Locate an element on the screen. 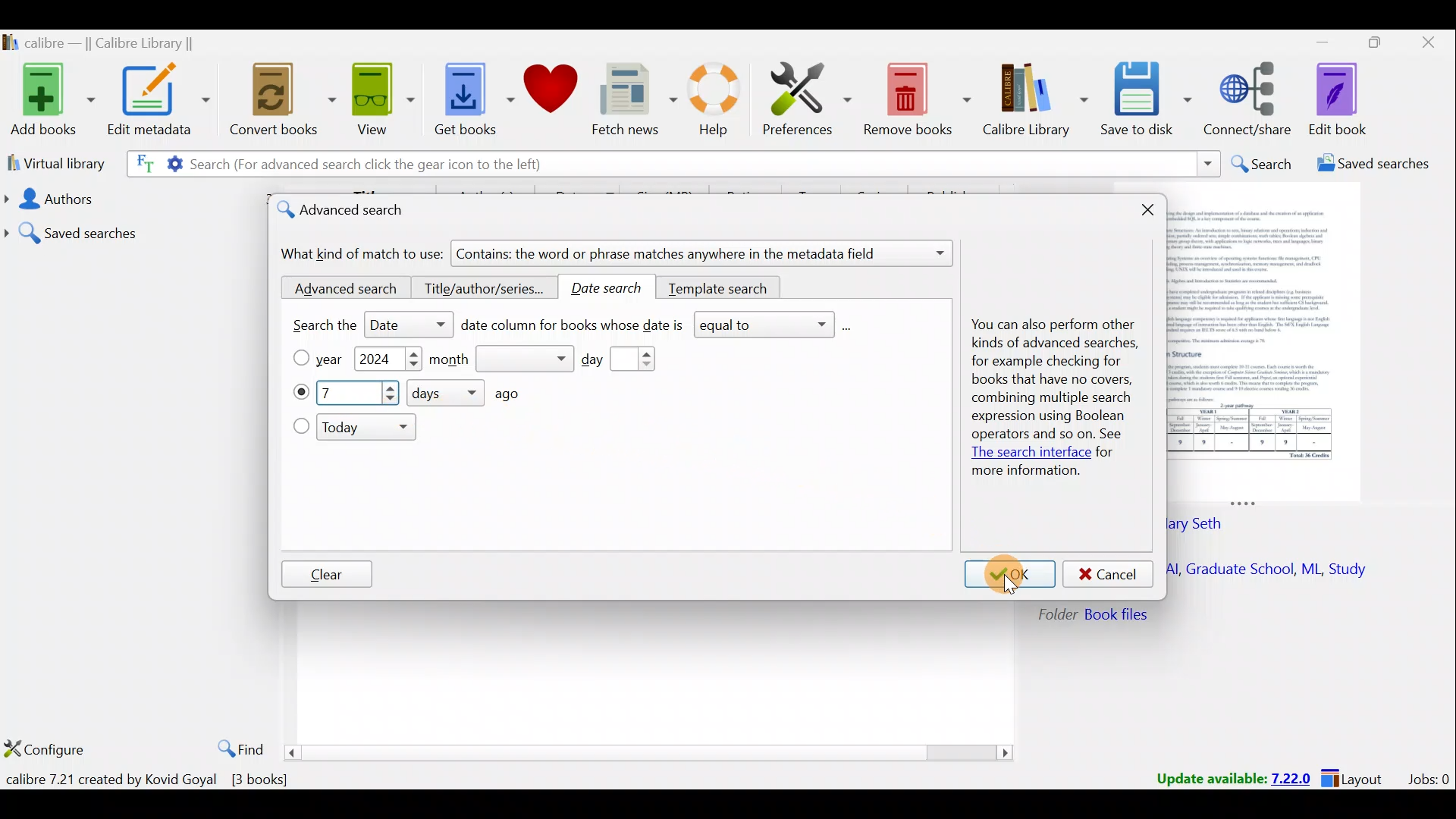 Image resolution: width=1456 pixels, height=819 pixels. Clear is located at coordinates (327, 576).